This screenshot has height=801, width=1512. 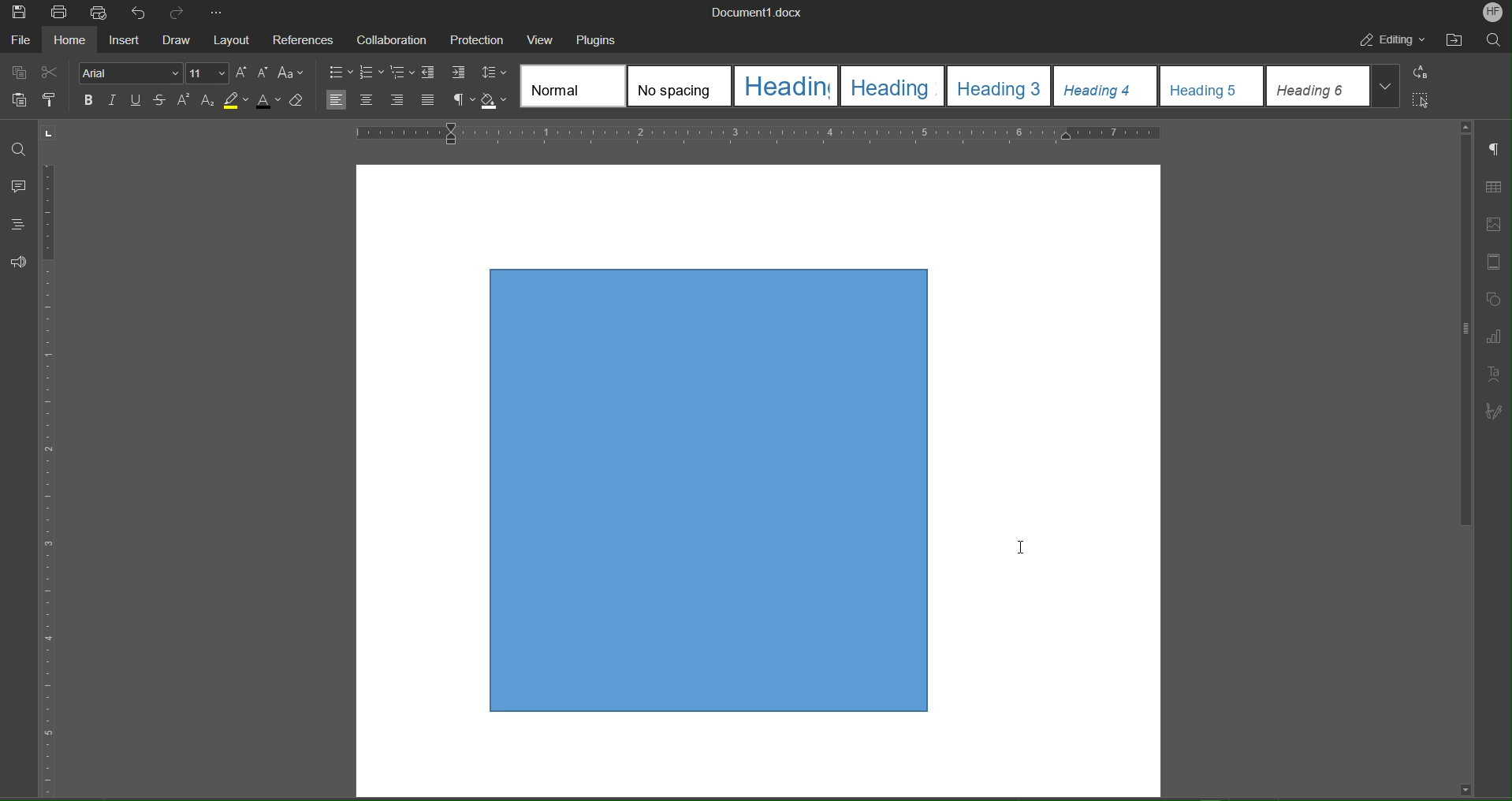 What do you see at coordinates (404, 73) in the screenshot?
I see `Nested List` at bounding box center [404, 73].